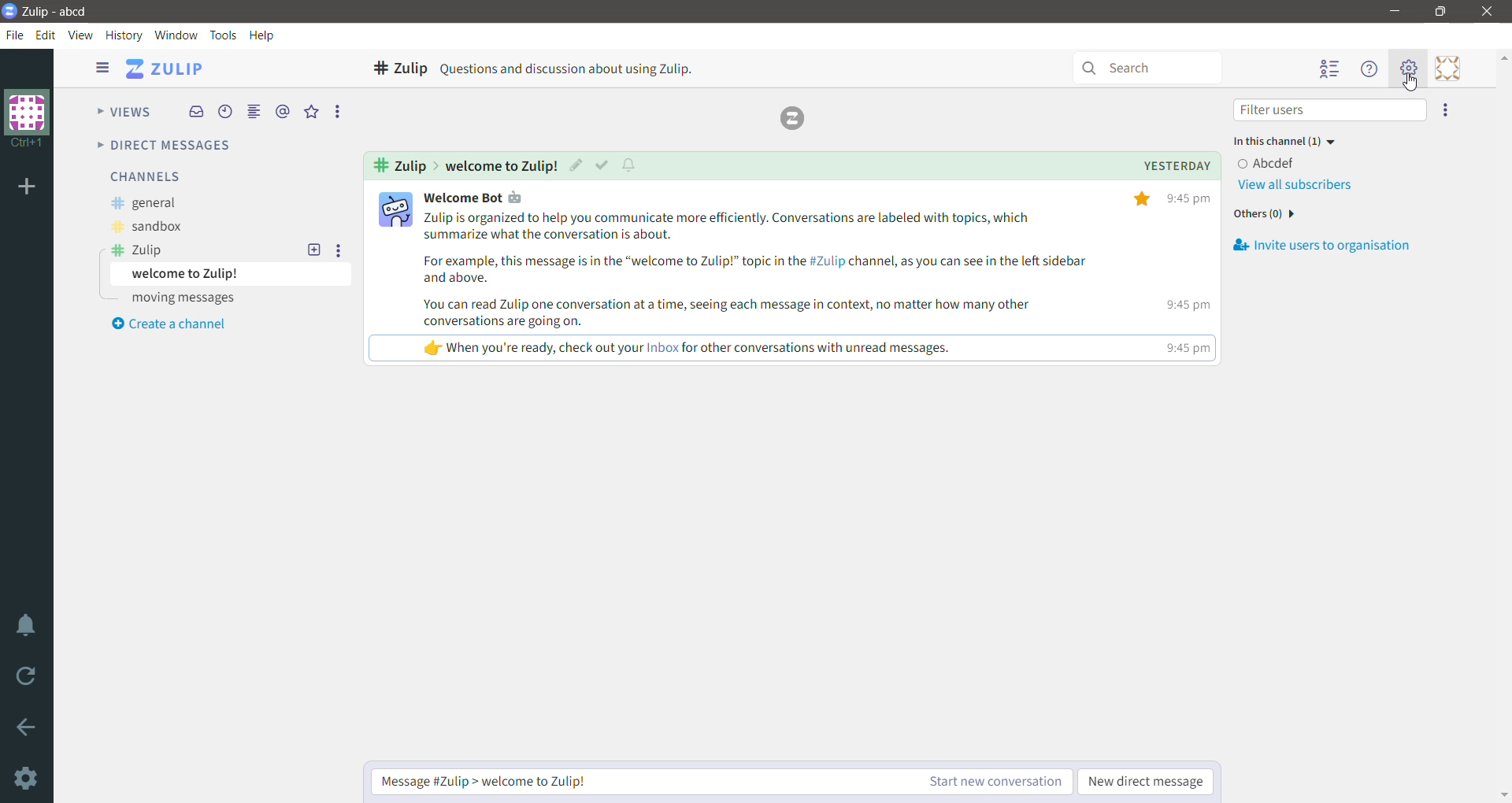 The height and width of the screenshot is (803, 1512). I want to click on Recent Conversations, so click(224, 111).